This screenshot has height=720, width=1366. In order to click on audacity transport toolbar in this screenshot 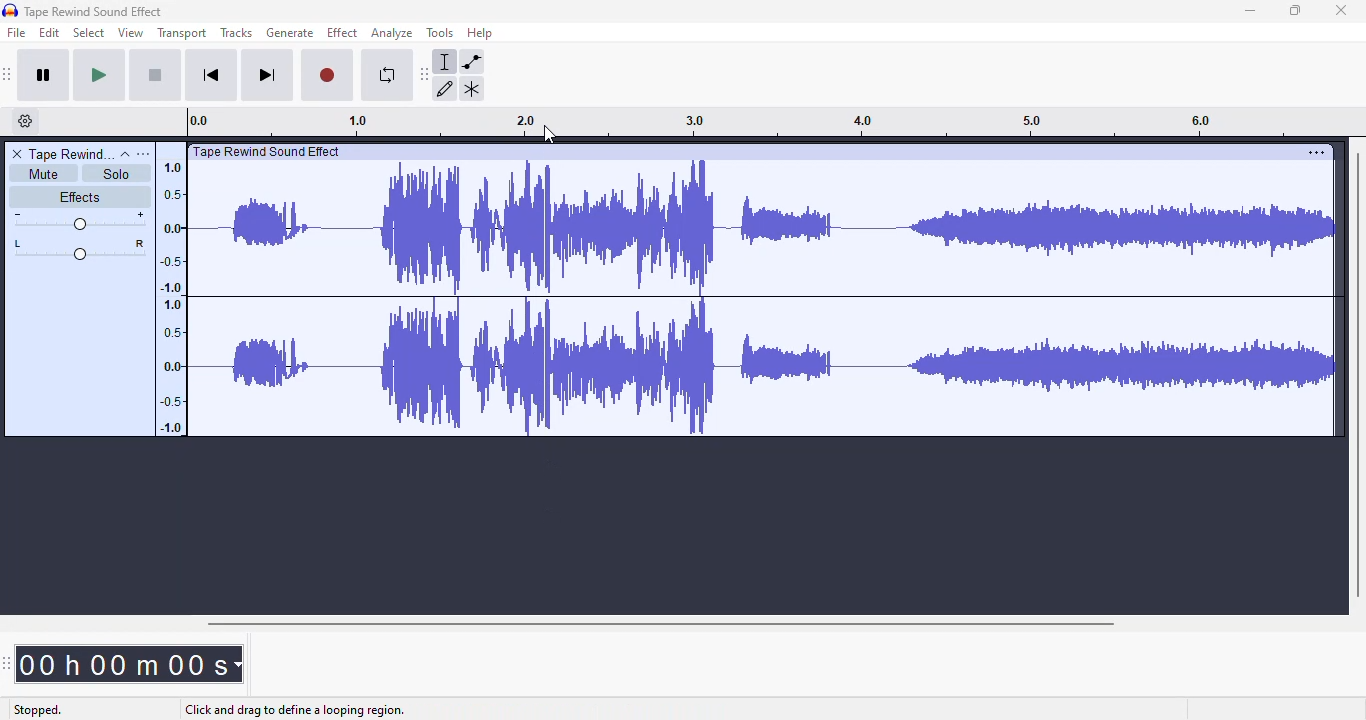, I will do `click(7, 75)`.